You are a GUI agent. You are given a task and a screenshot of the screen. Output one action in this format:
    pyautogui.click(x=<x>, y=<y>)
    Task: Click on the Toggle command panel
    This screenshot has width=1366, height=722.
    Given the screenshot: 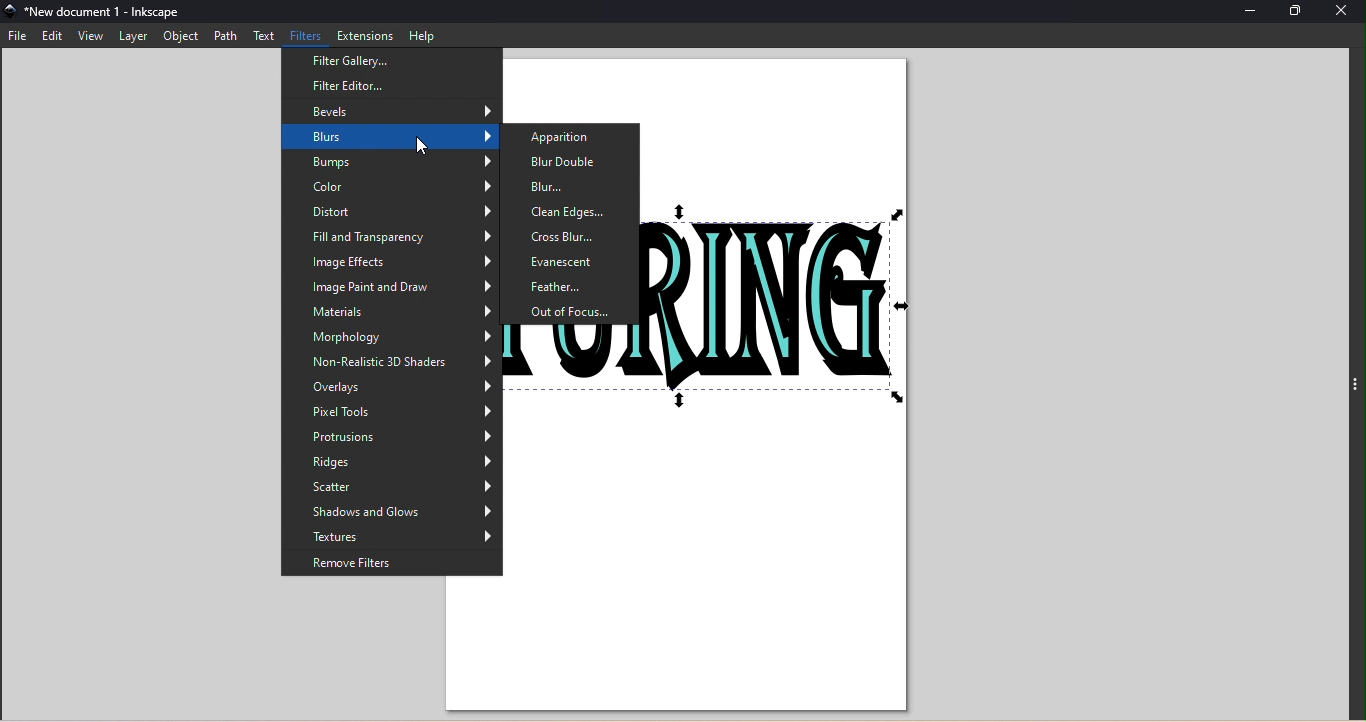 What is the action you would take?
    pyautogui.click(x=1355, y=390)
    